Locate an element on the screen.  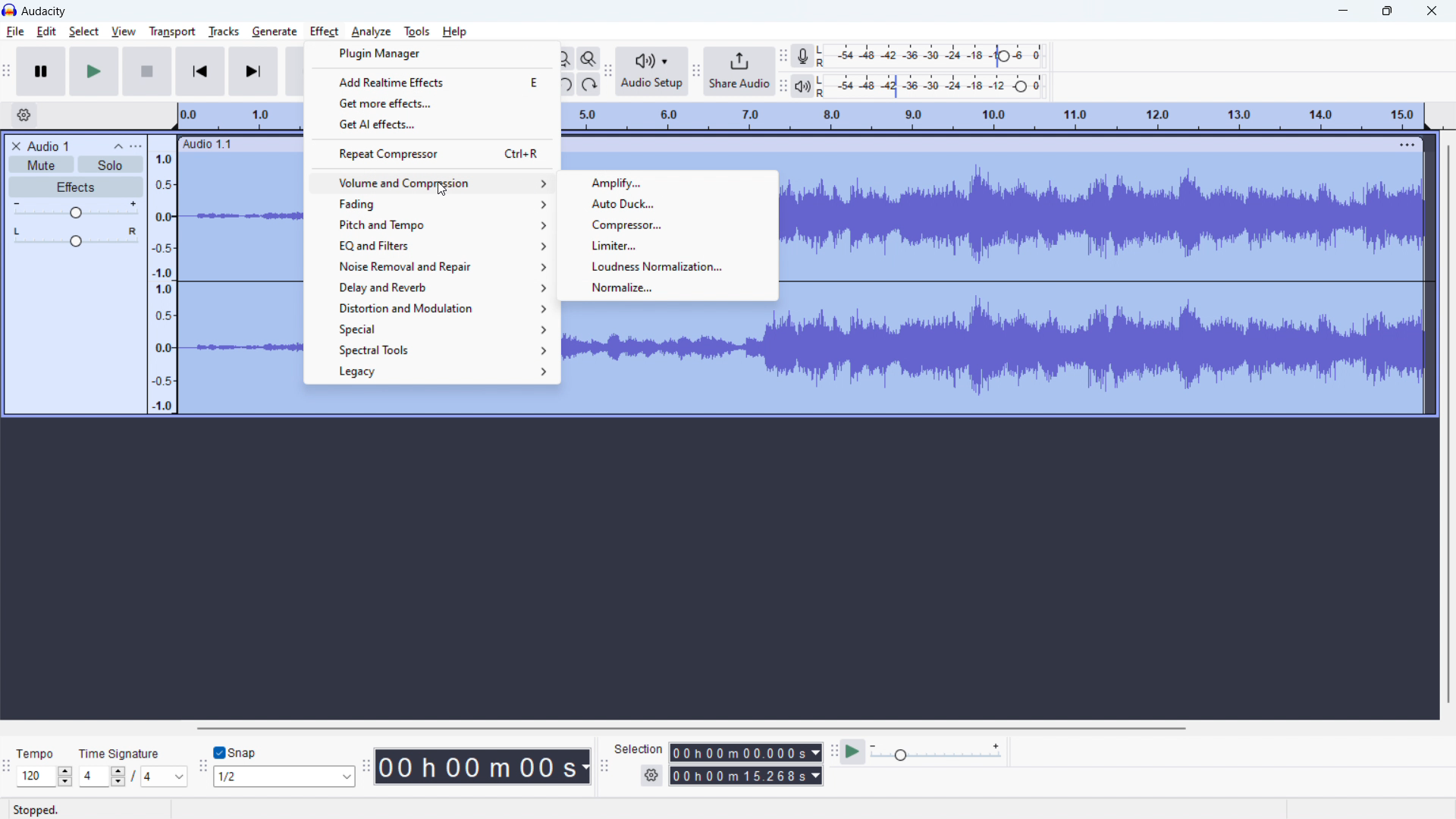
00 h 00 m 00 s is located at coordinates (482, 763).